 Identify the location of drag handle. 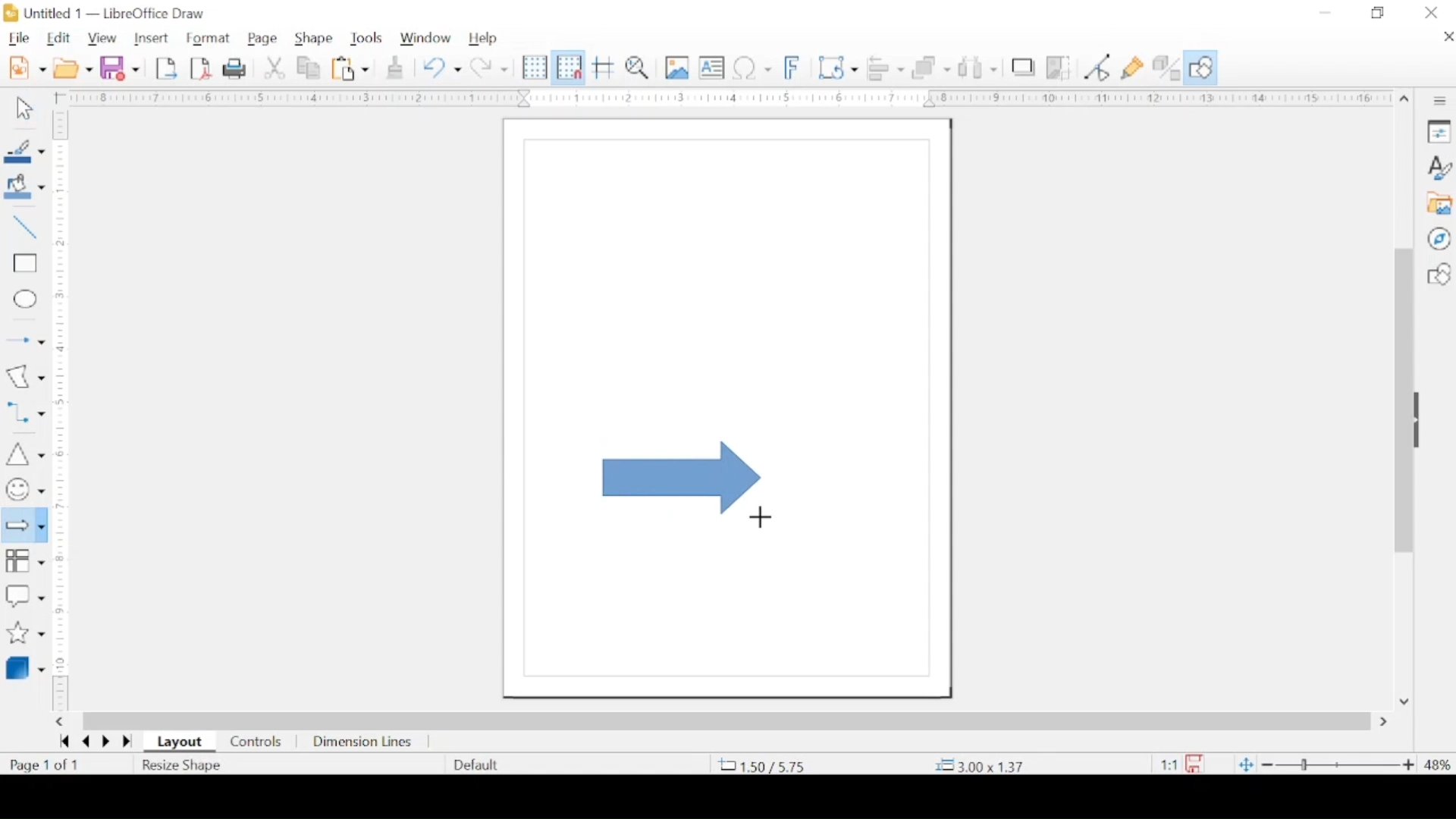
(1421, 419).